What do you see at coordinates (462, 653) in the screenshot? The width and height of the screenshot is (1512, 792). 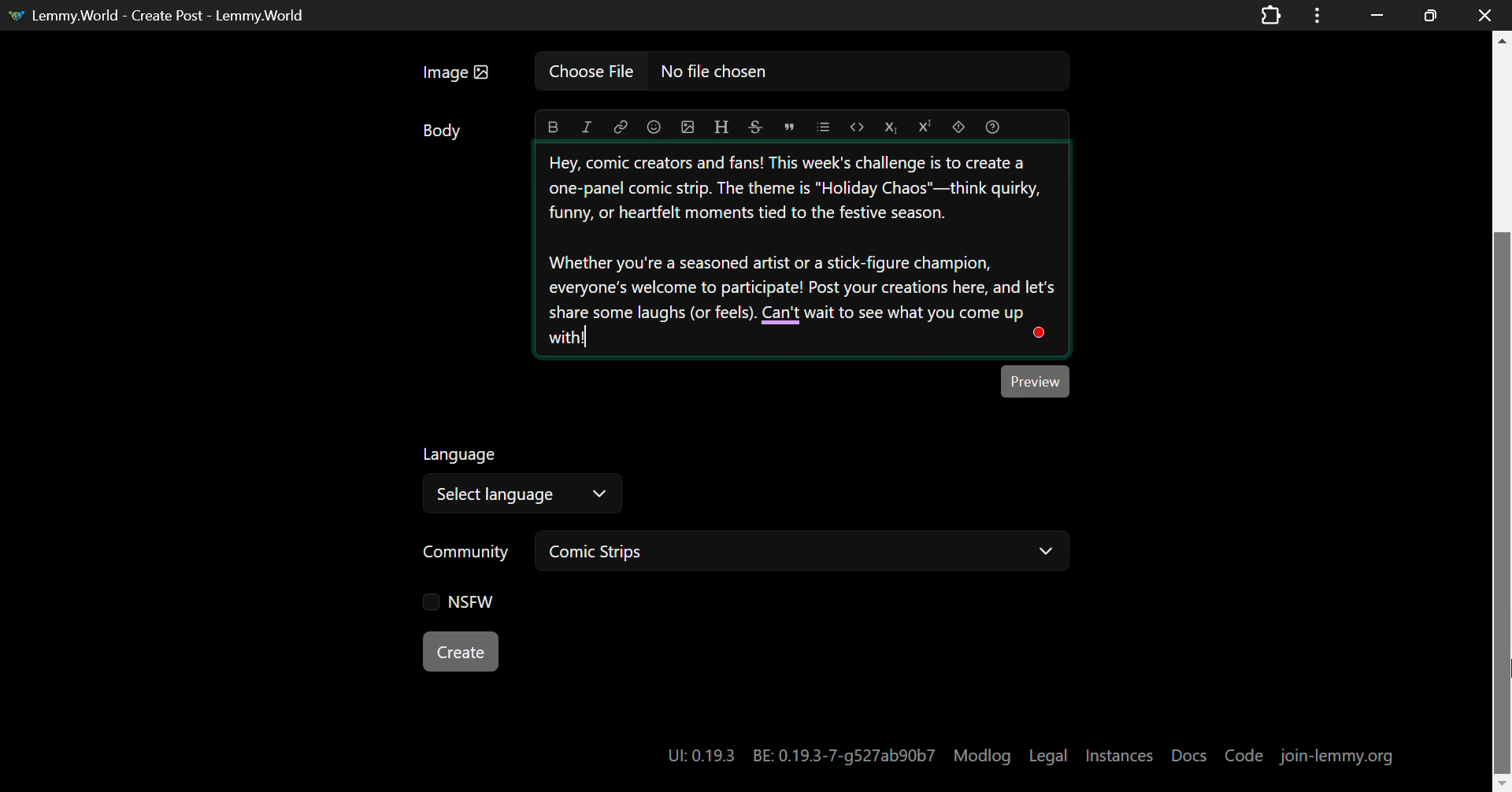 I see `Create` at bounding box center [462, 653].